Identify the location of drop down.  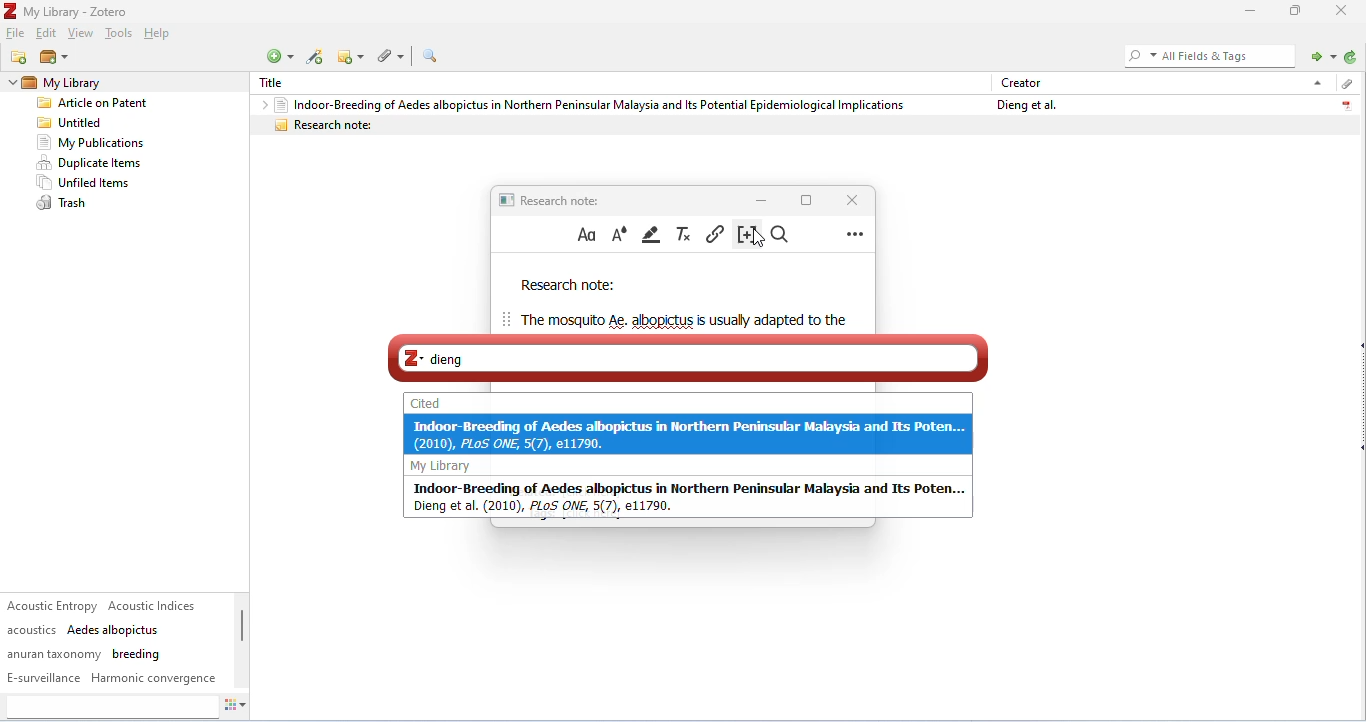
(10, 83).